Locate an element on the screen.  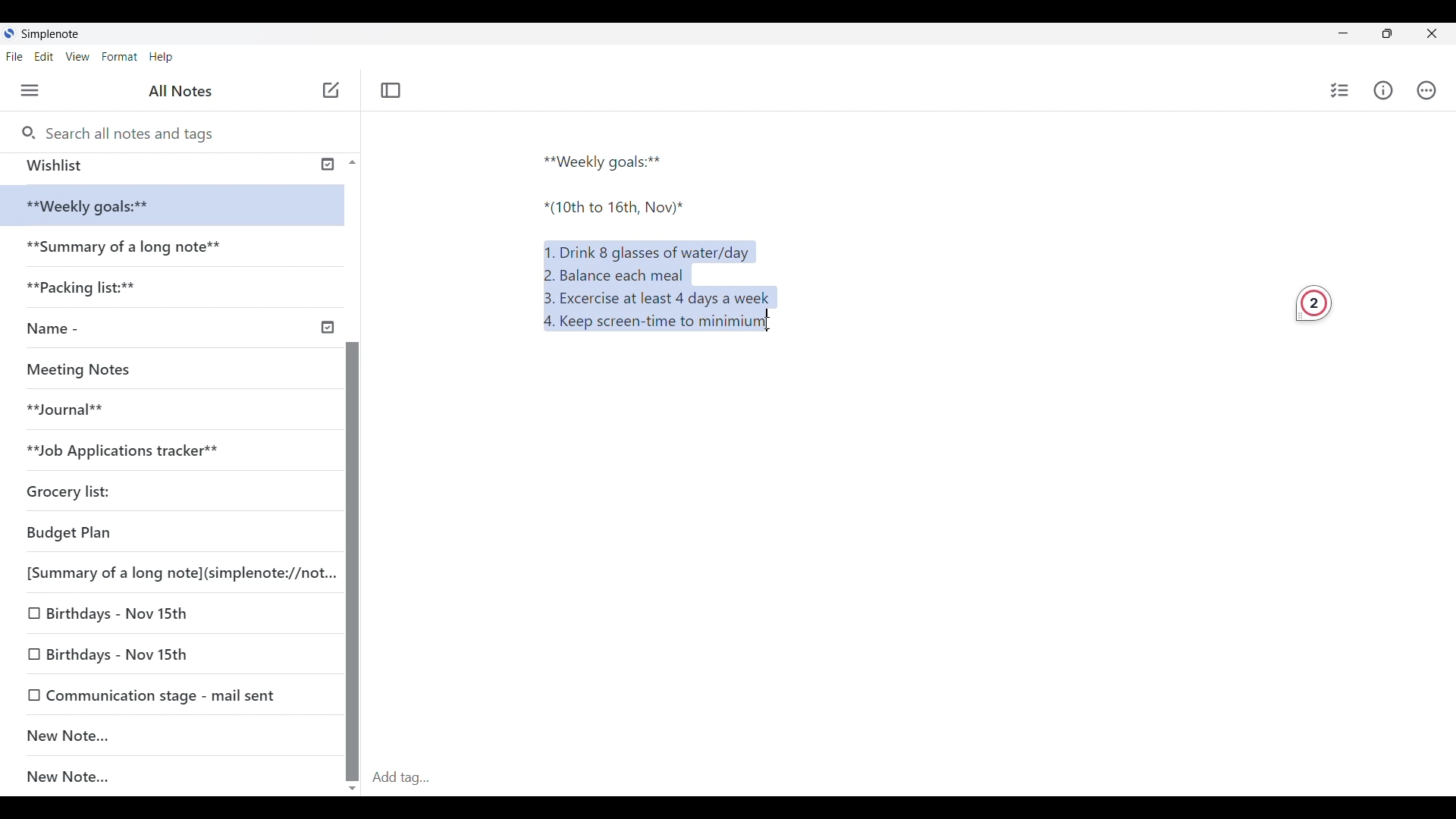
restore is located at coordinates (1400, 36).